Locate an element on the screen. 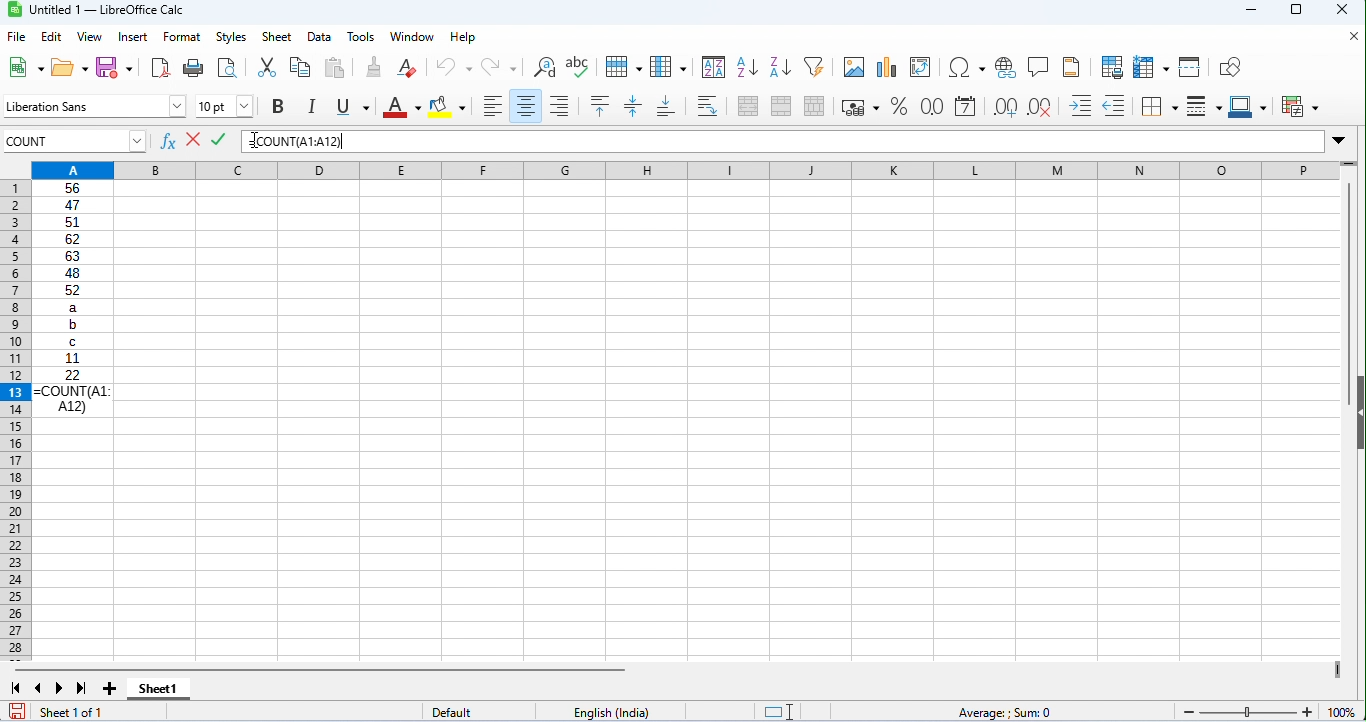 Image resolution: width=1366 pixels, height=722 pixels. align right is located at coordinates (560, 105).